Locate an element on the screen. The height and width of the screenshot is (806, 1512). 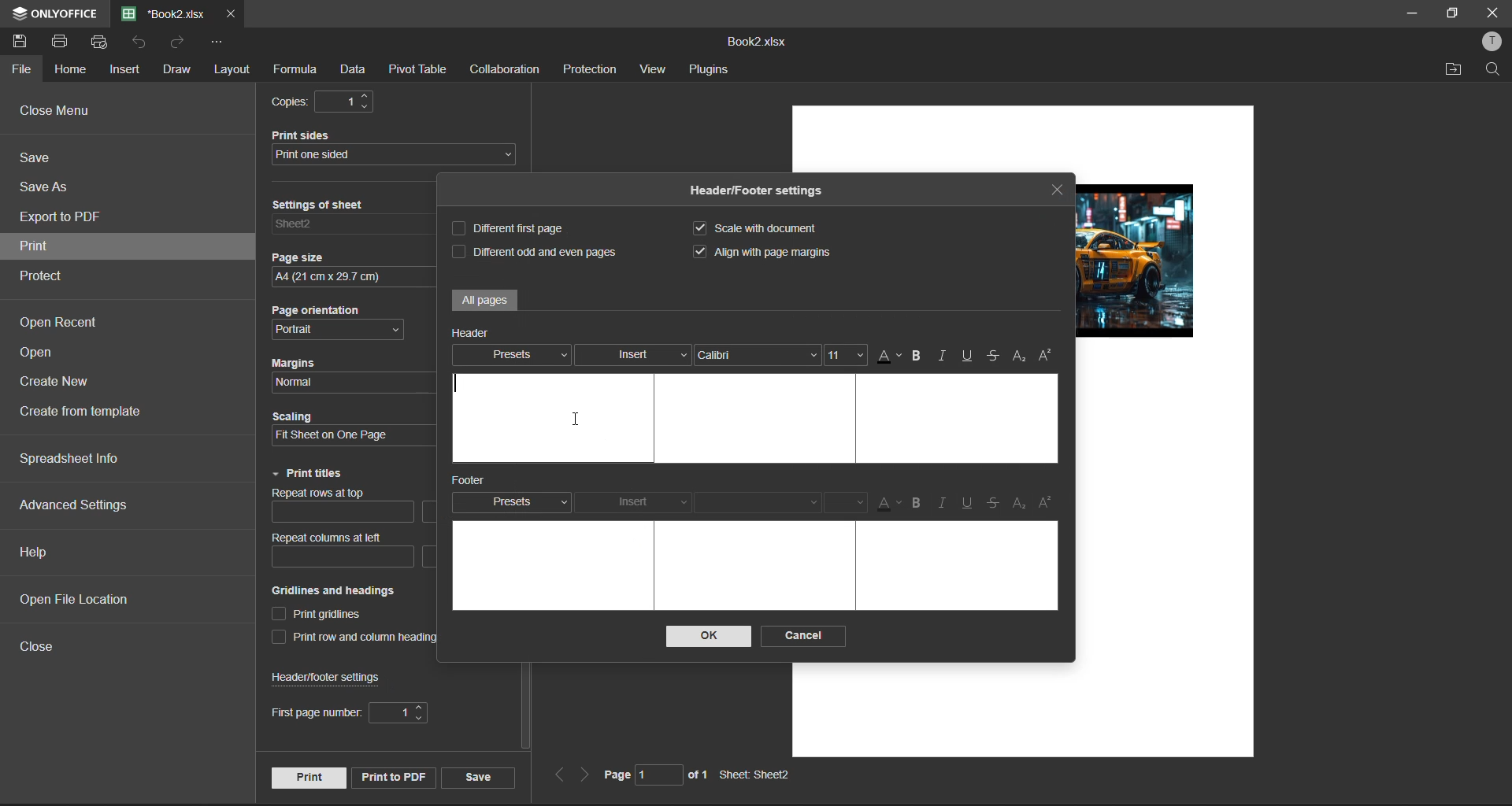
underline is located at coordinates (969, 505).